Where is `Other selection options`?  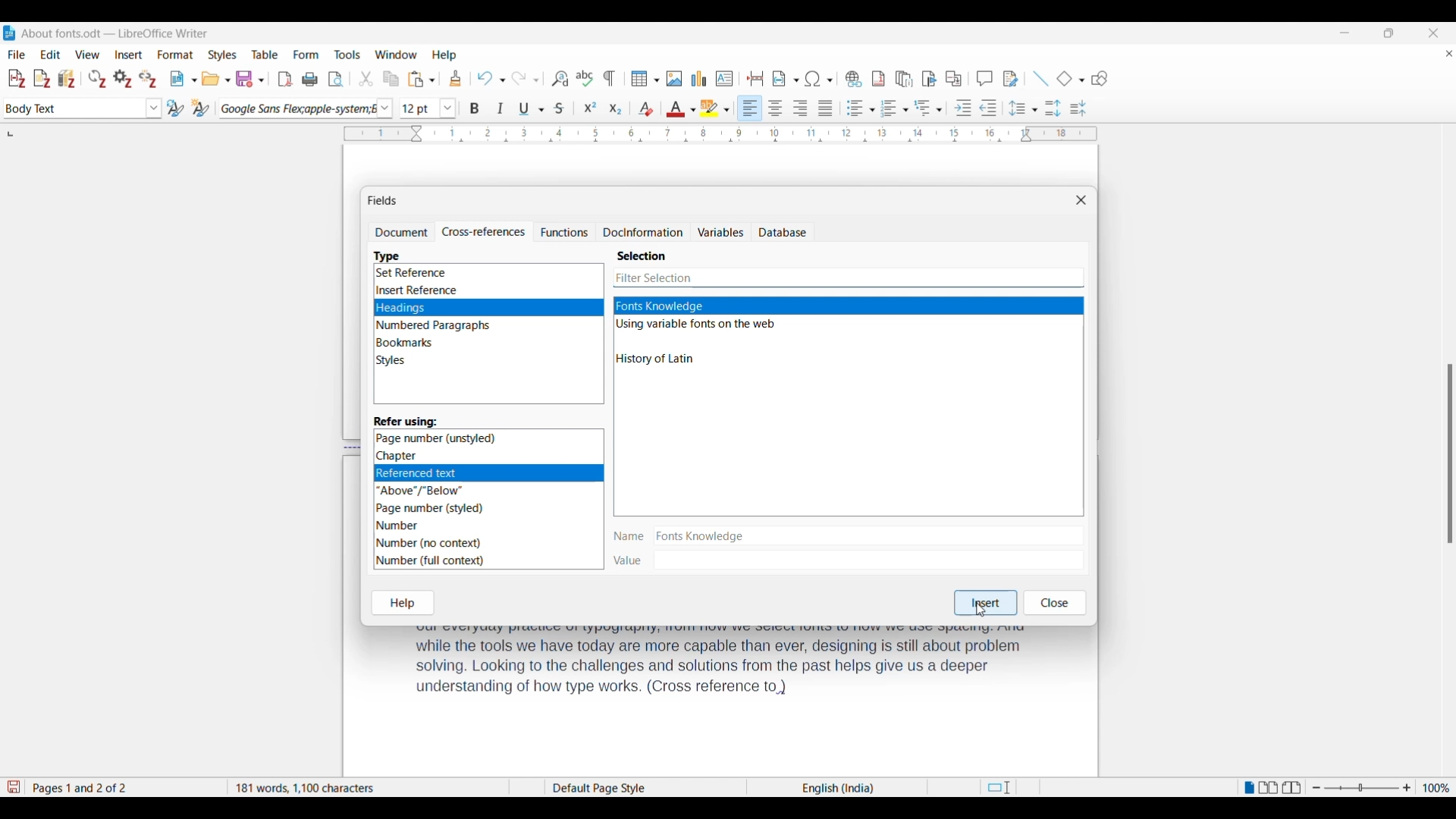 Other selection options is located at coordinates (696, 344).